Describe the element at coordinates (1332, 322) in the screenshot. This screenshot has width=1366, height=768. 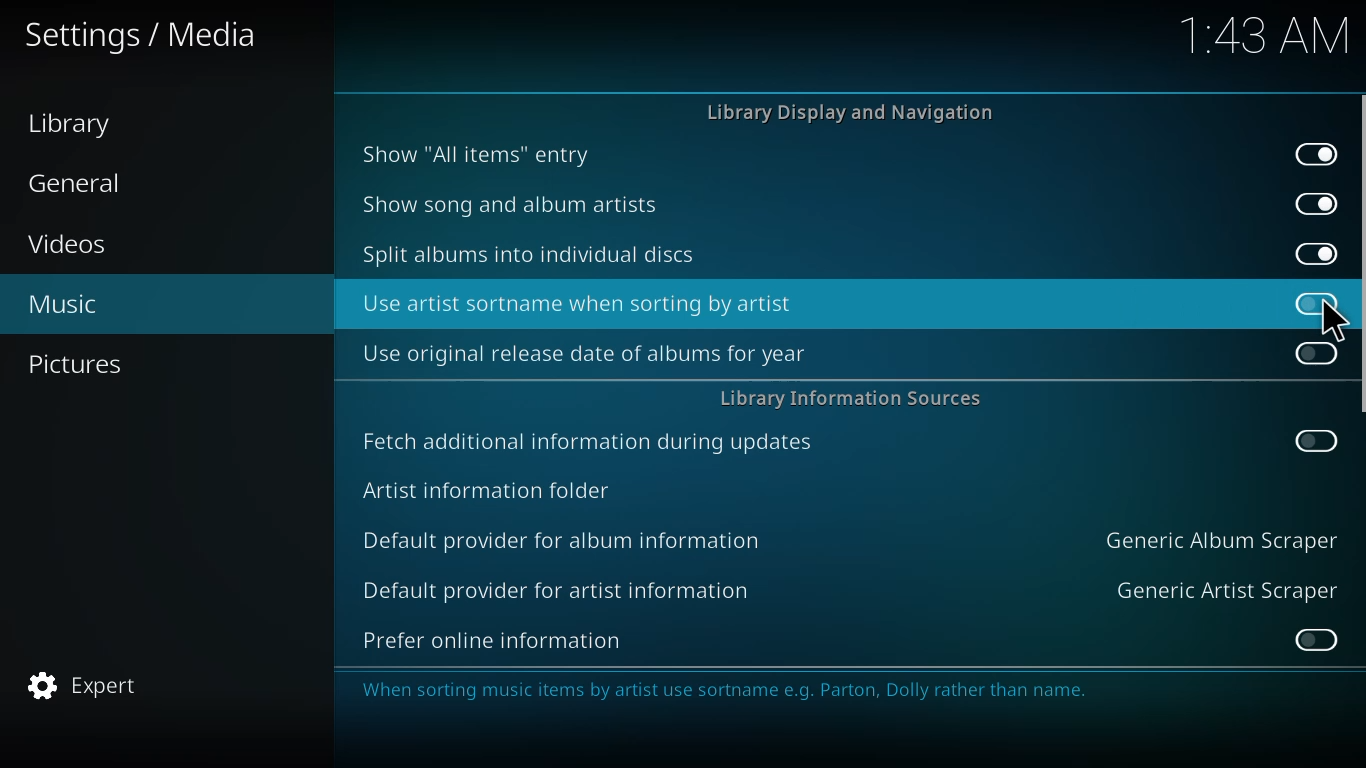
I see `cursor` at that location.